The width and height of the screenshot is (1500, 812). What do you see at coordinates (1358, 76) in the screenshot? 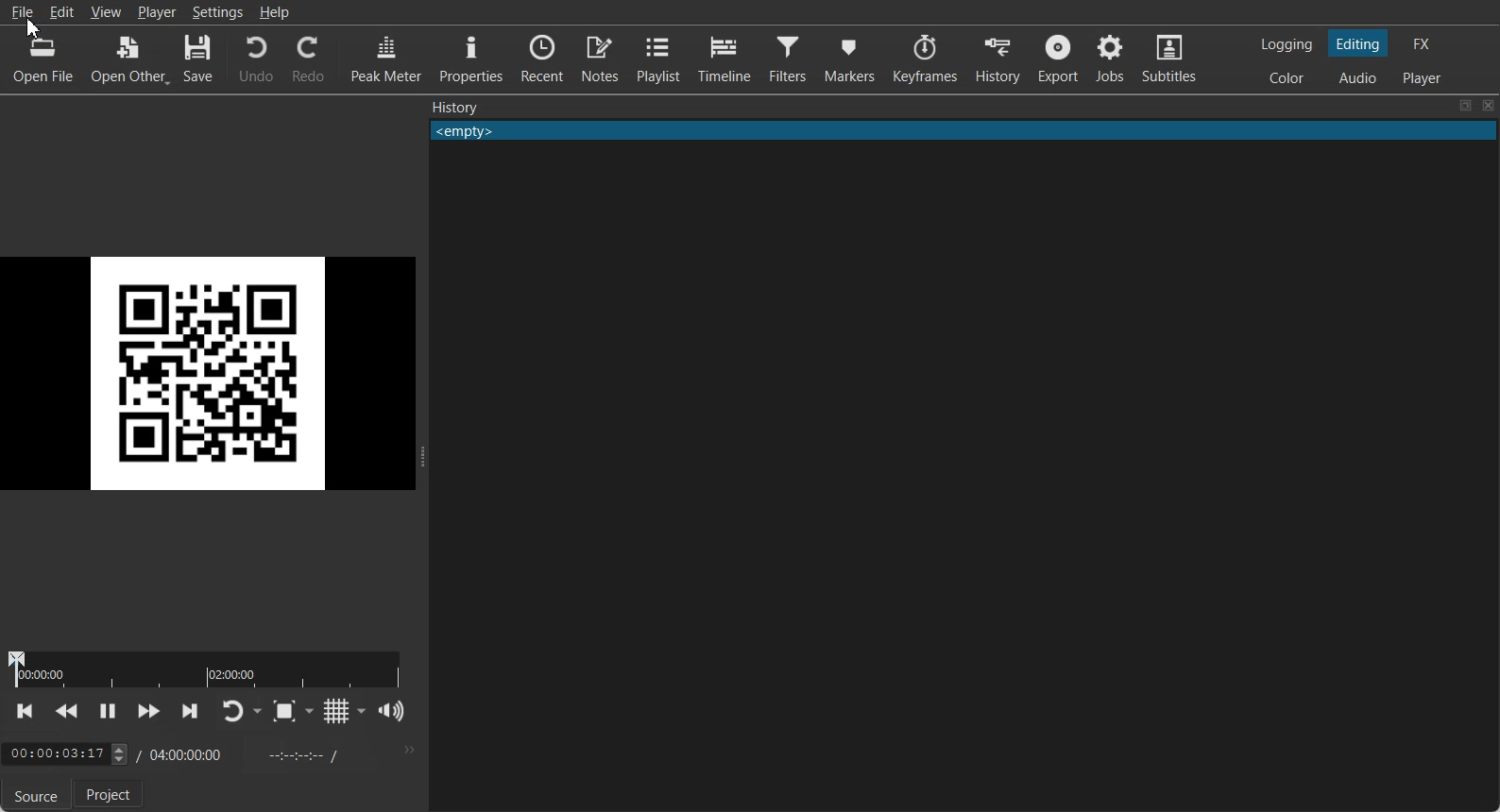
I see `Switching to Audio Layout` at bounding box center [1358, 76].